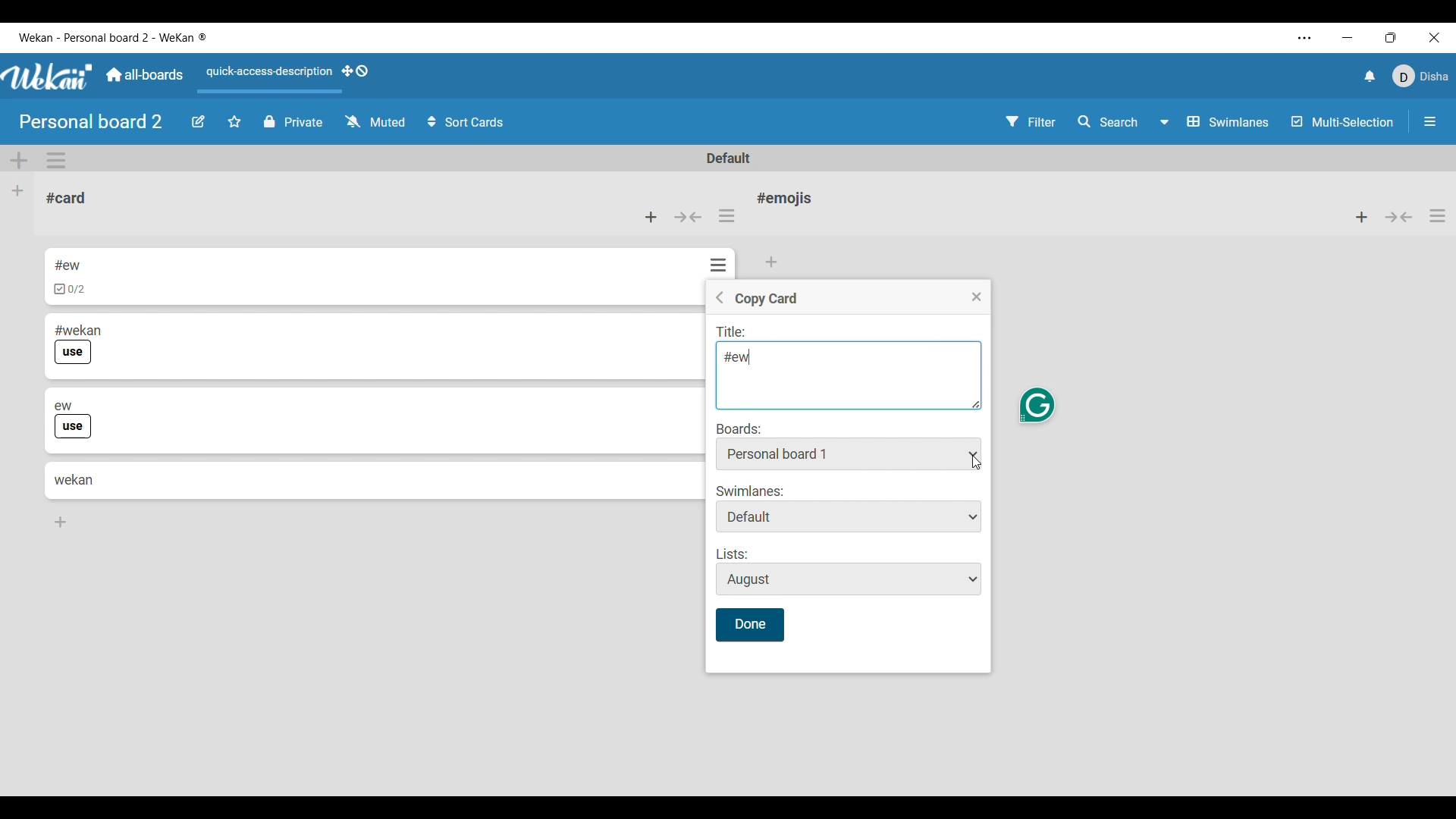 The height and width of the screenshot is (819, 1456). I want to click on Edit, so click(198, 122).